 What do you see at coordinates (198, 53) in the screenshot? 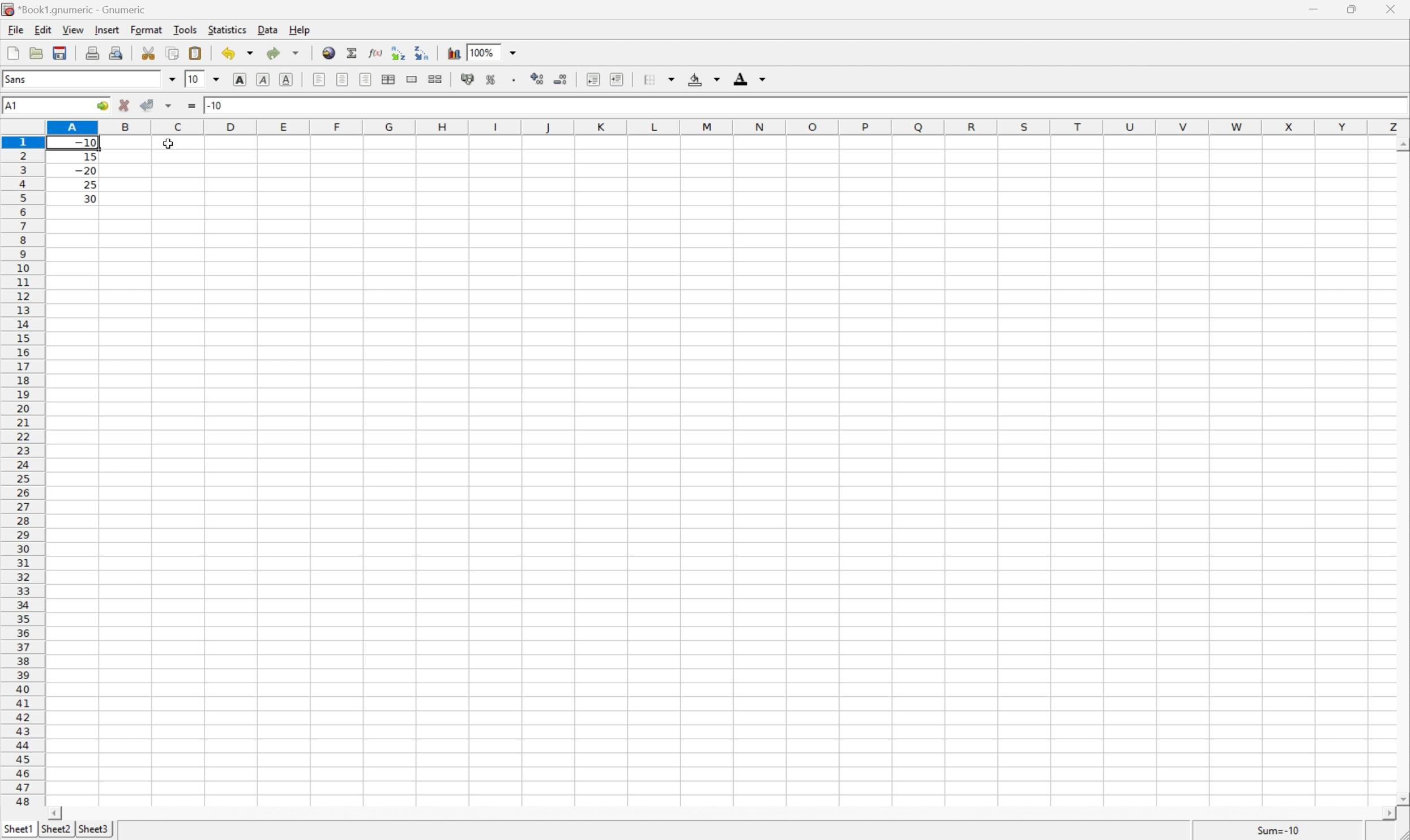
I see `Paste the clipboard` at bounding box center [198, 53].